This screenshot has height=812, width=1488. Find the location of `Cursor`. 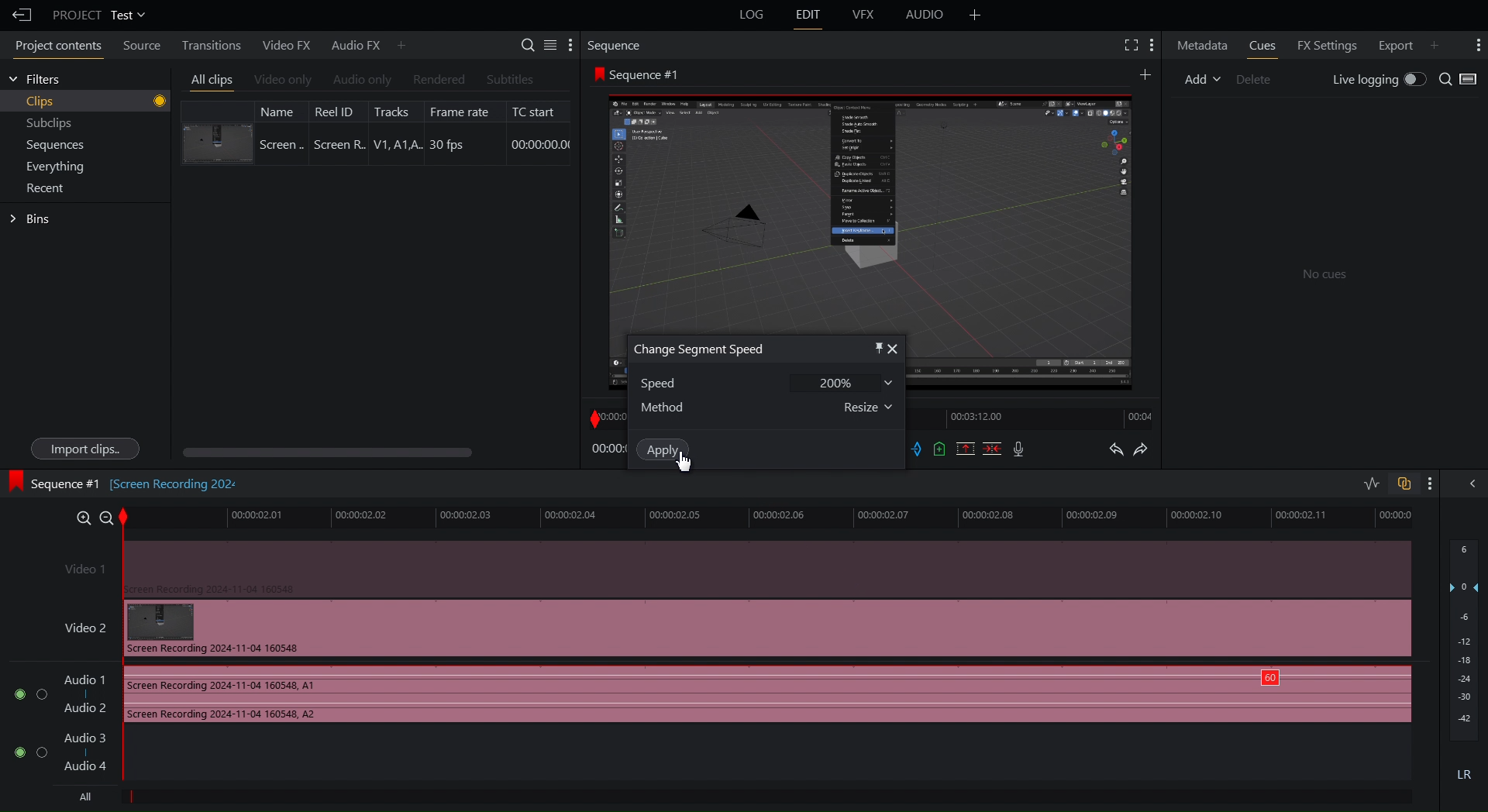

Cursor is located at coordinates (687, 464).